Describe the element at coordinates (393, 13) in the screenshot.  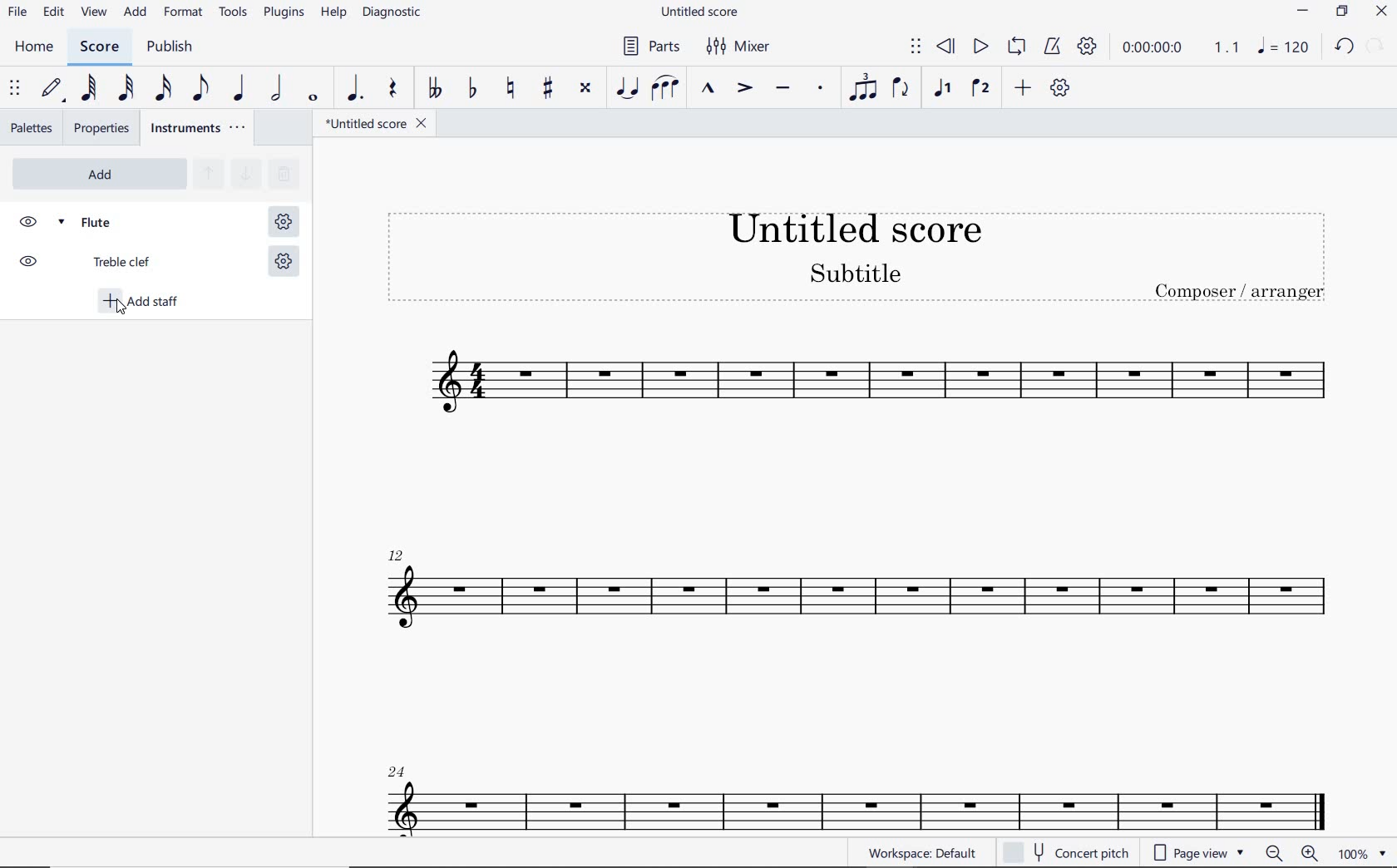
I see `DIAGNOSTIC` at that location.